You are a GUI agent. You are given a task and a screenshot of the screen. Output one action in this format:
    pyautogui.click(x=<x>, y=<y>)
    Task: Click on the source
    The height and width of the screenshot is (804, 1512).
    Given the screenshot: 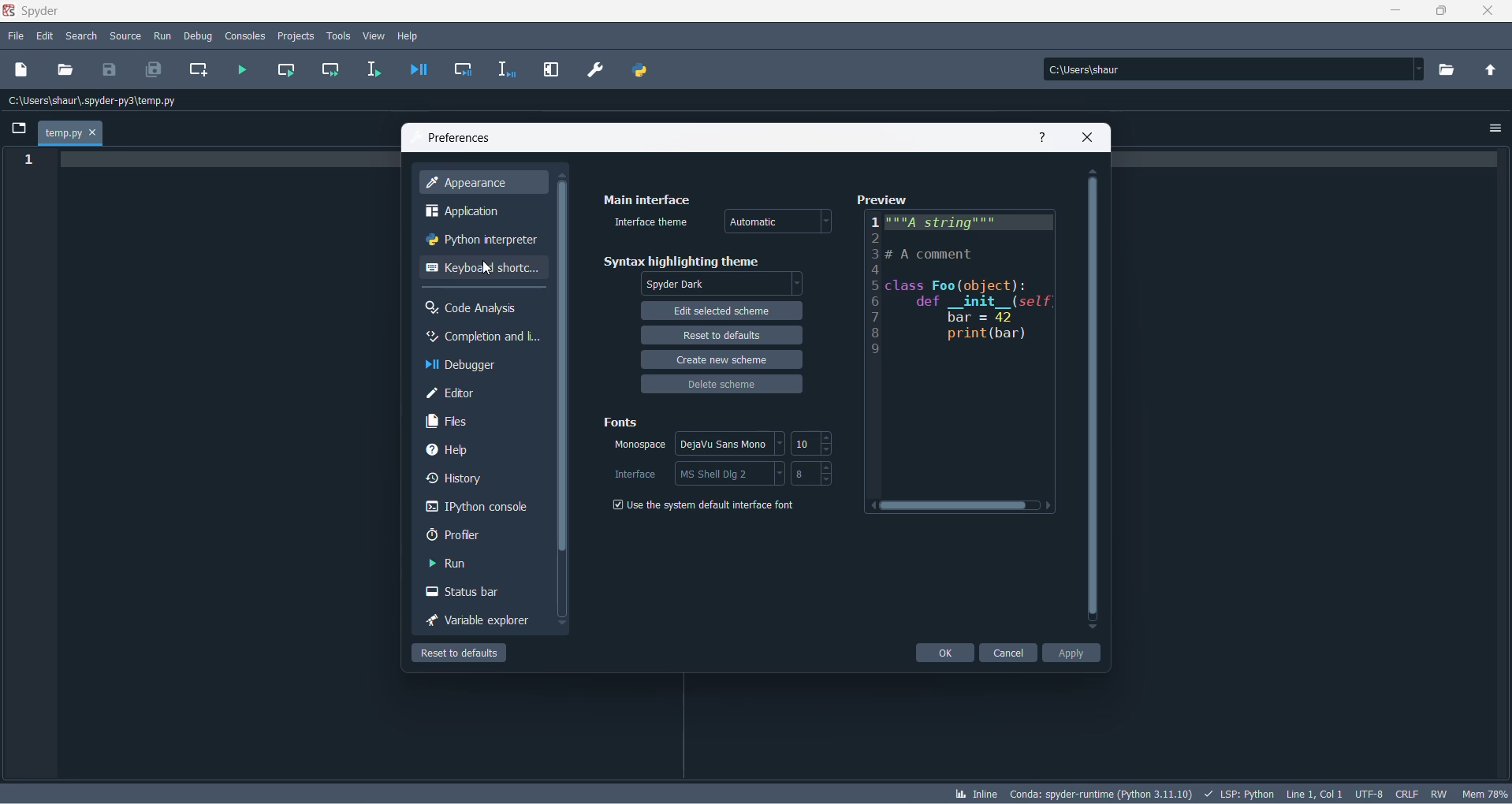 What is the action you would take?
    pyautogui.click(x=125, y=38)
    